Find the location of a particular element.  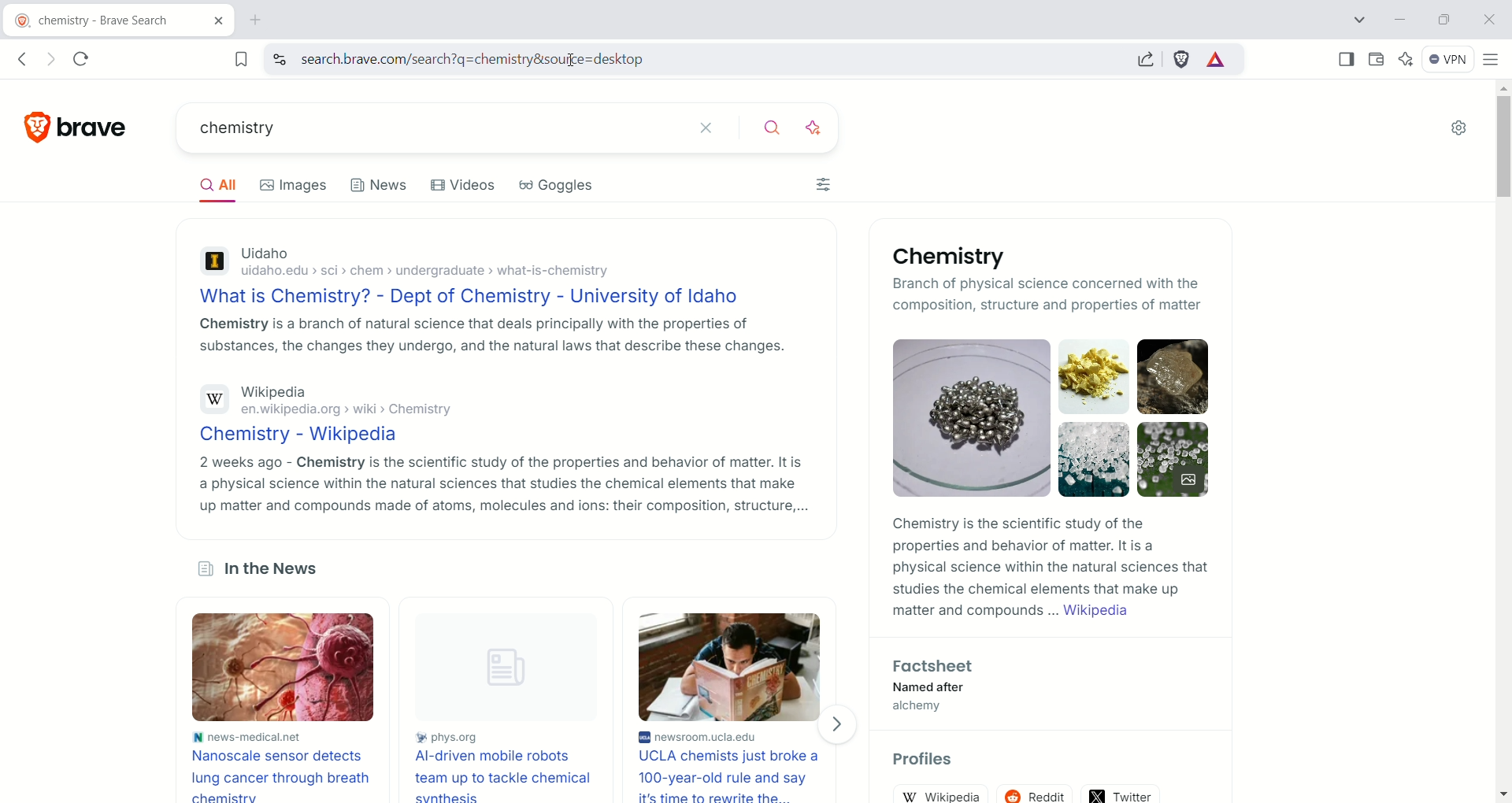

leo AI is located at coordinates (819, 128).